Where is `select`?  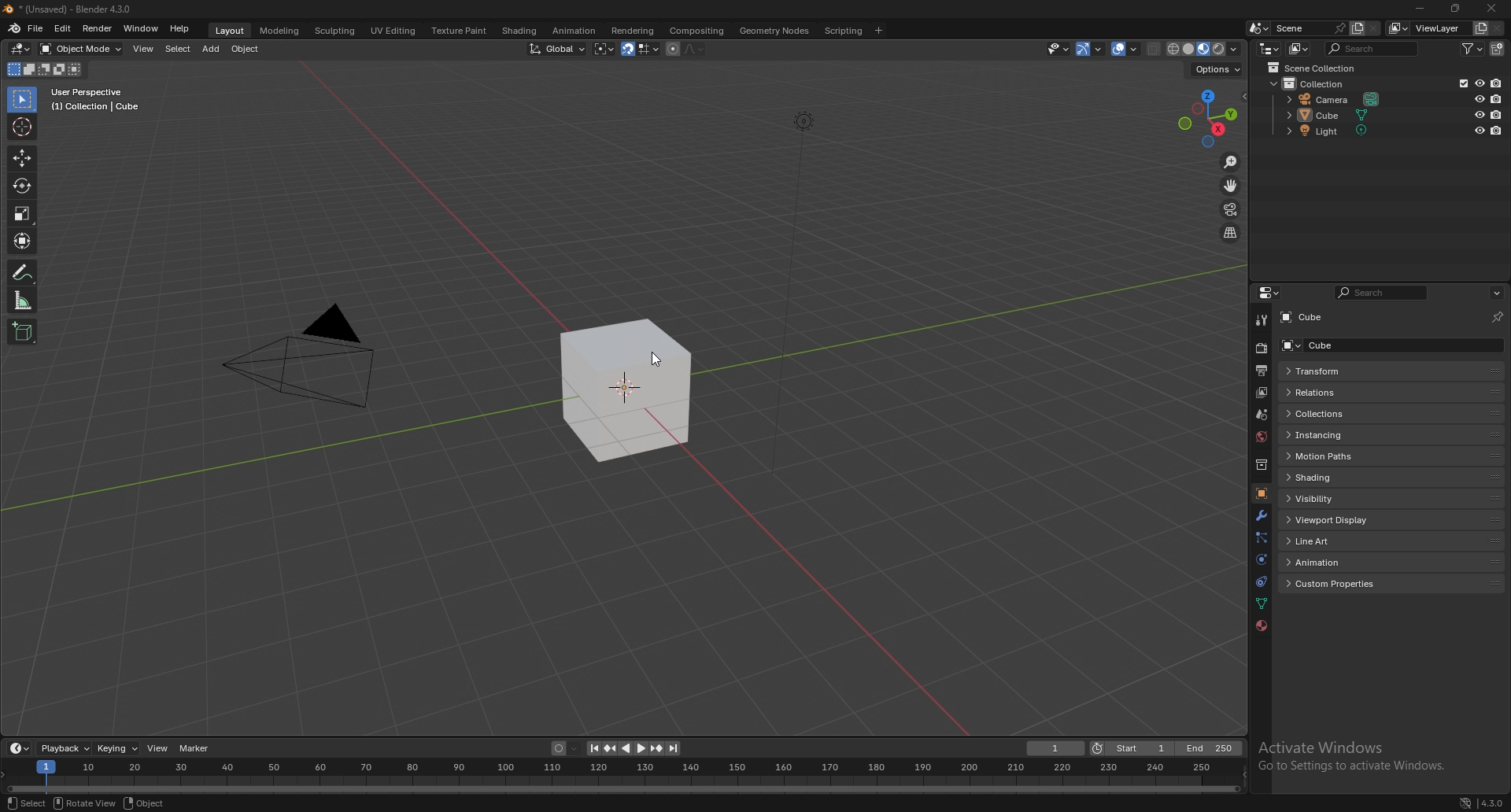 select is located at coordinates (178, 50).